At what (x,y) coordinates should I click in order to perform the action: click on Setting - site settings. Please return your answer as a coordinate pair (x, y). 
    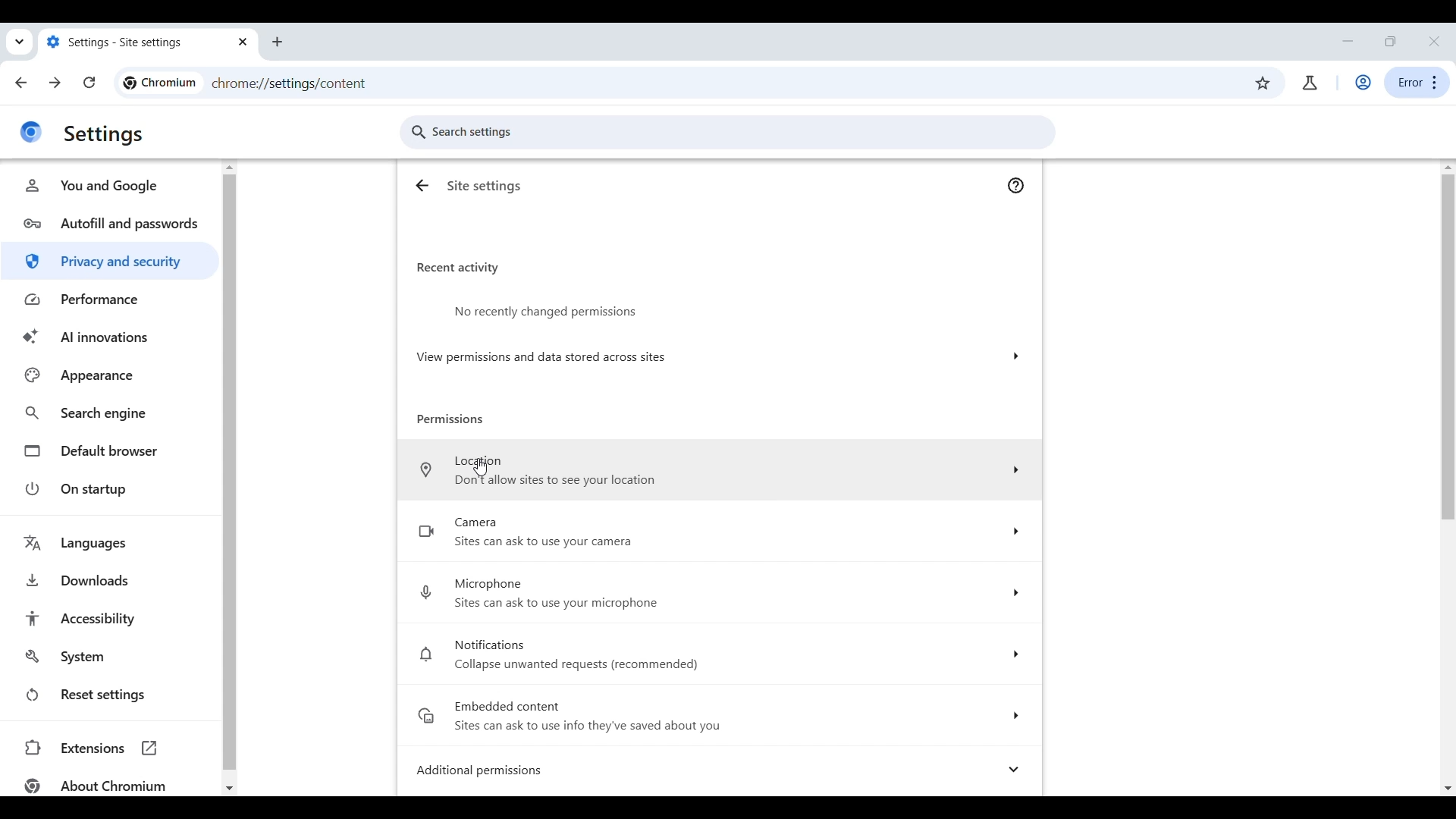
    Looking at the image, I should click on (133, 41).